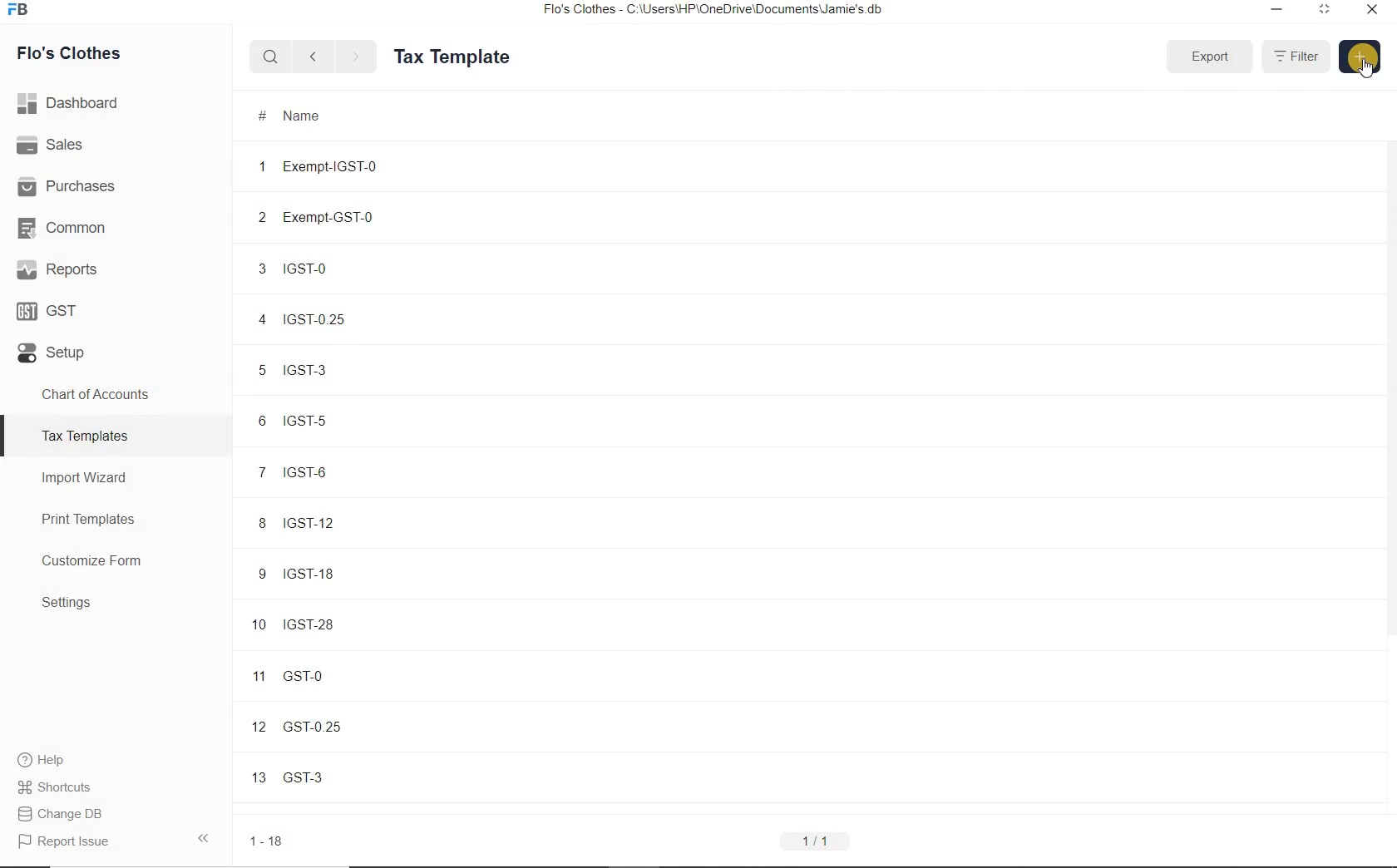  Describe the element at coordinates (343, 165) in the screenshot. I see `1 Exempt-IGST-0` at that location.